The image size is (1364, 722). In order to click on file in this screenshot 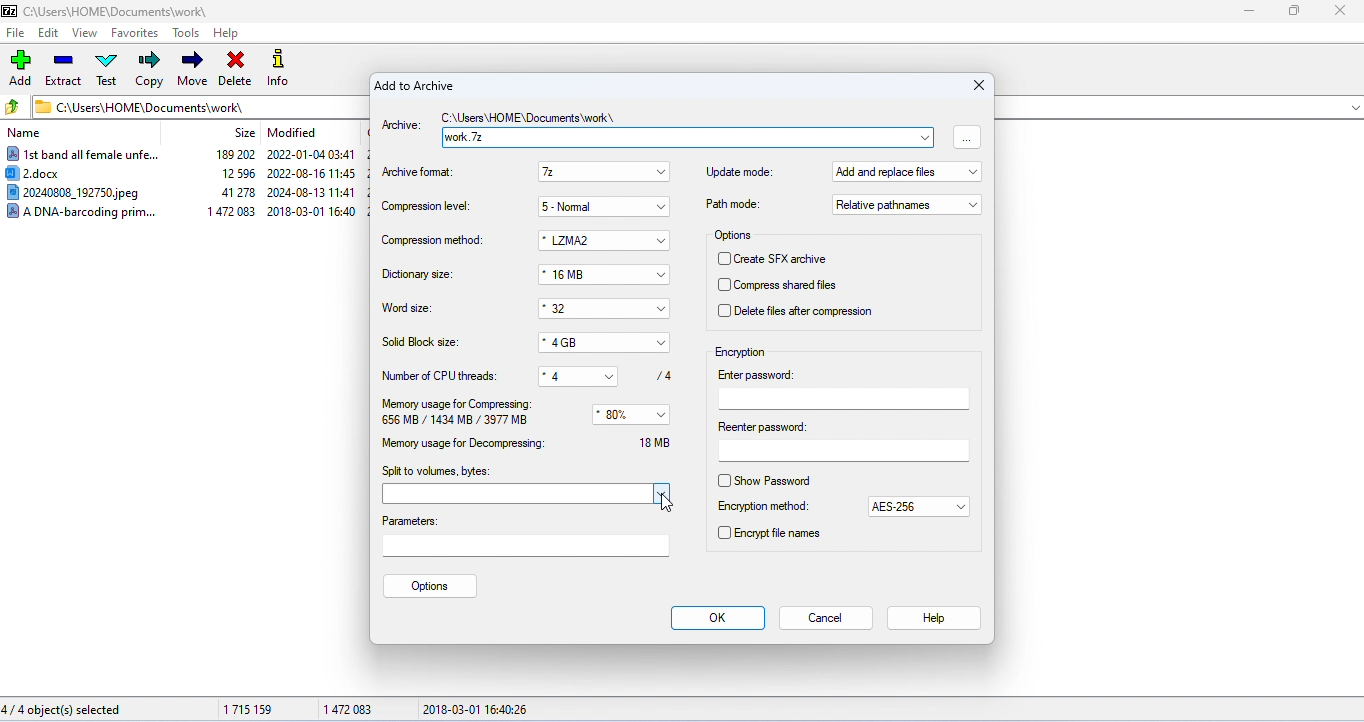, I will do `click(15, 32)`.